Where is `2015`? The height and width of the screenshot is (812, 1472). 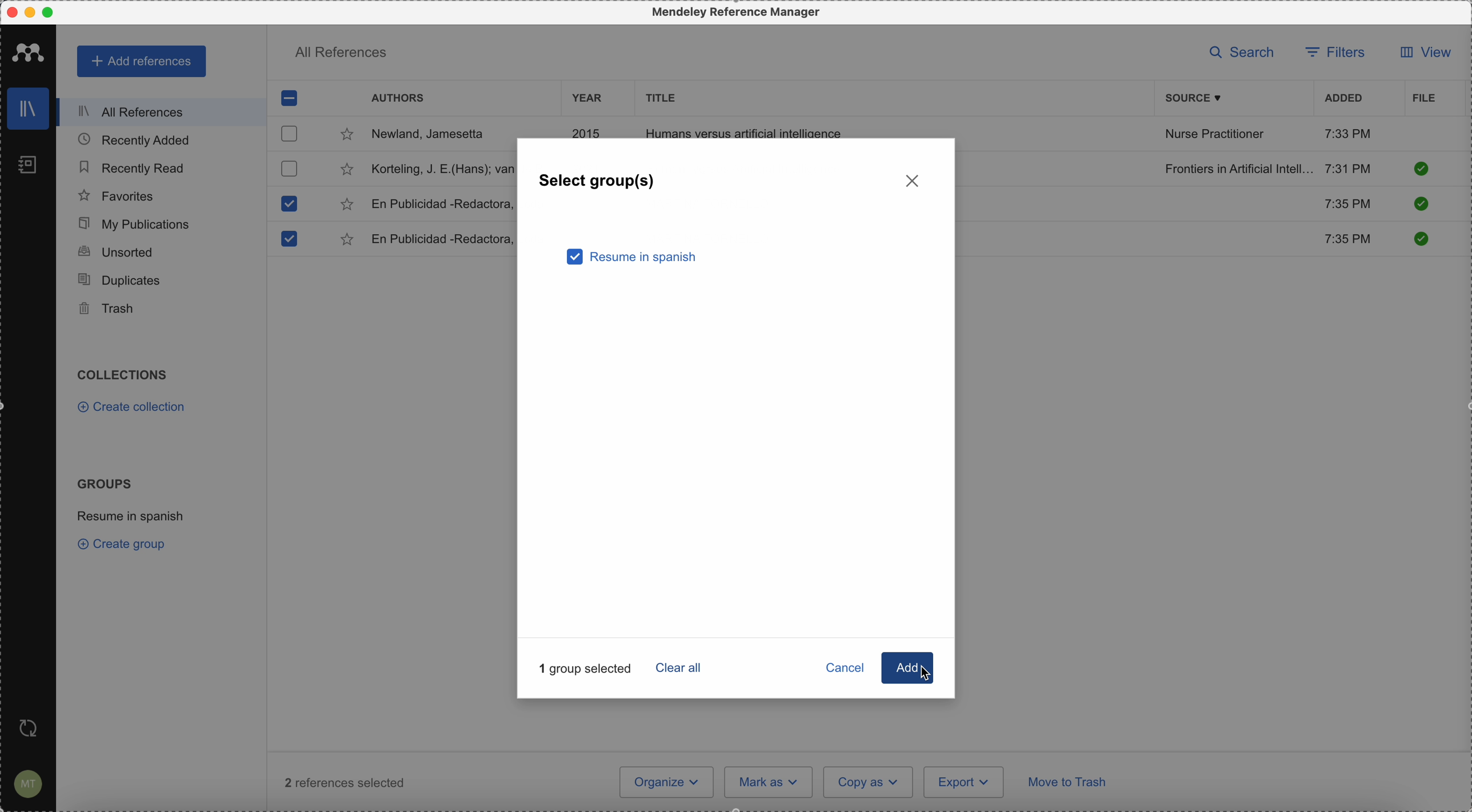 2015 is located at coordinates (589, 131).